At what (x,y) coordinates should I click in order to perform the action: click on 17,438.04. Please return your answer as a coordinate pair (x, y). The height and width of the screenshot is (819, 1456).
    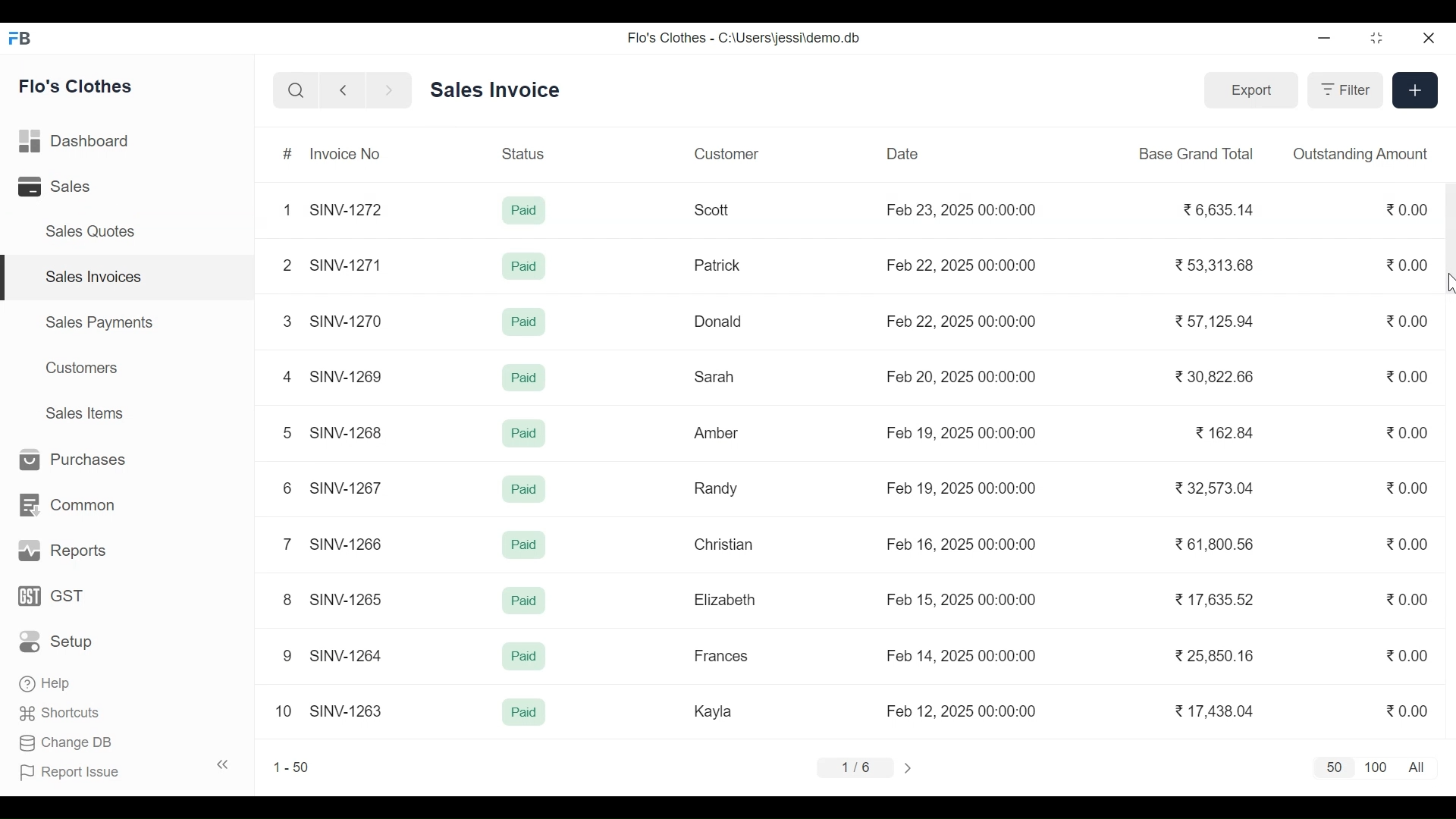
    Looking at the image, I should click on (1215, 711).